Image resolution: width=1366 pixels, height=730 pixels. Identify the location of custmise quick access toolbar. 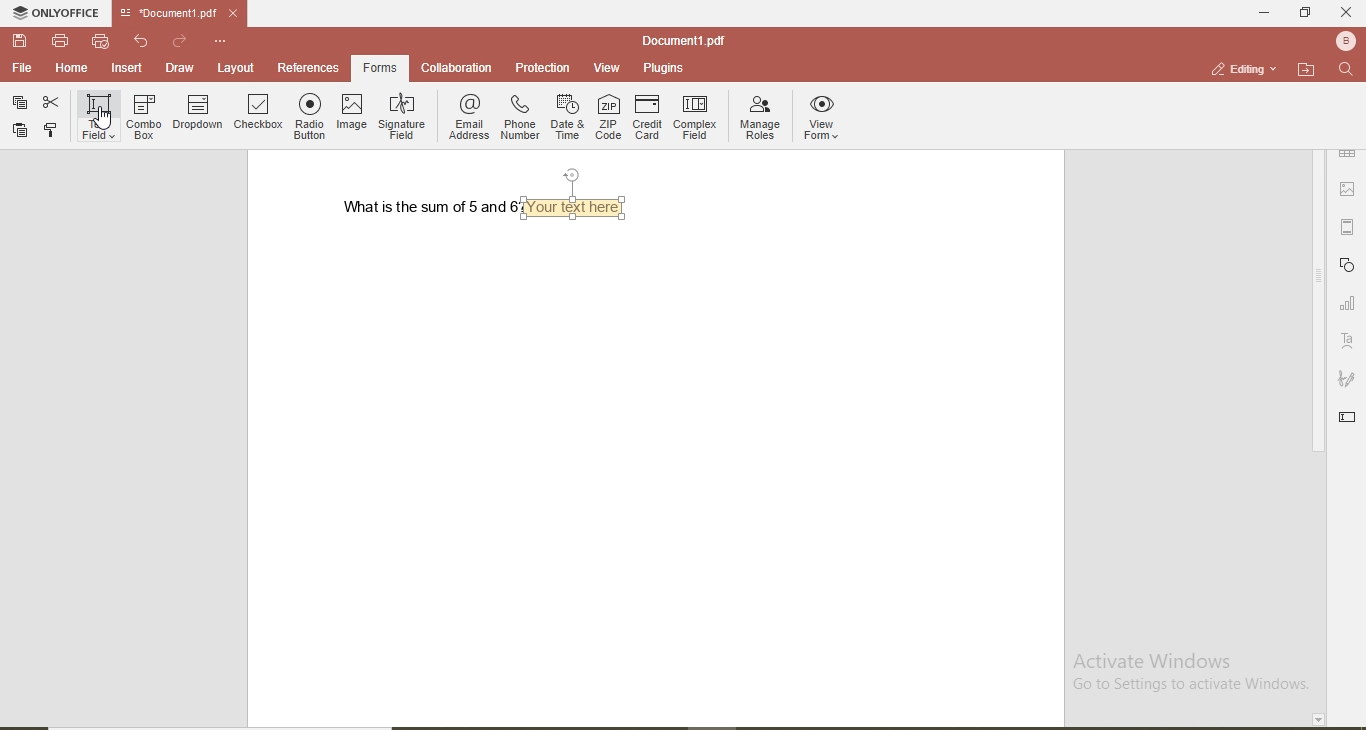
(220, 40).